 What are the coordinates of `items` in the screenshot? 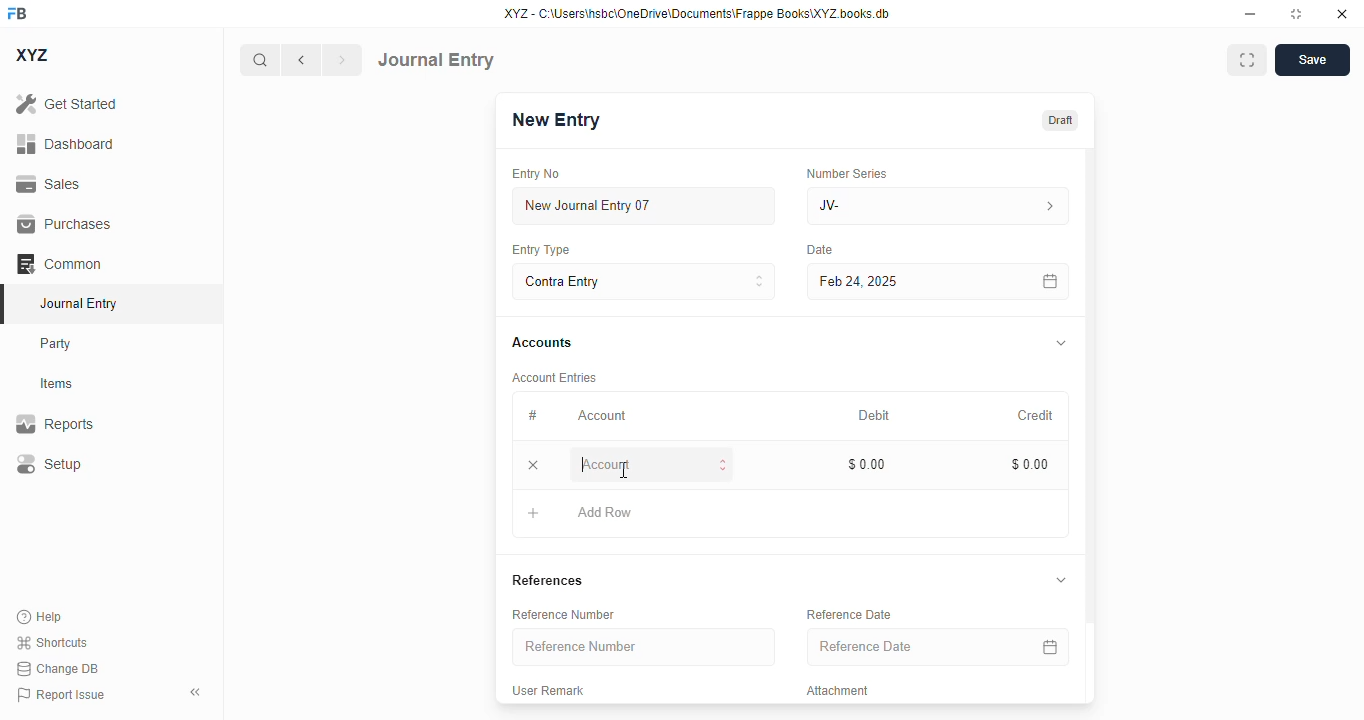 It's located at (57, 384).